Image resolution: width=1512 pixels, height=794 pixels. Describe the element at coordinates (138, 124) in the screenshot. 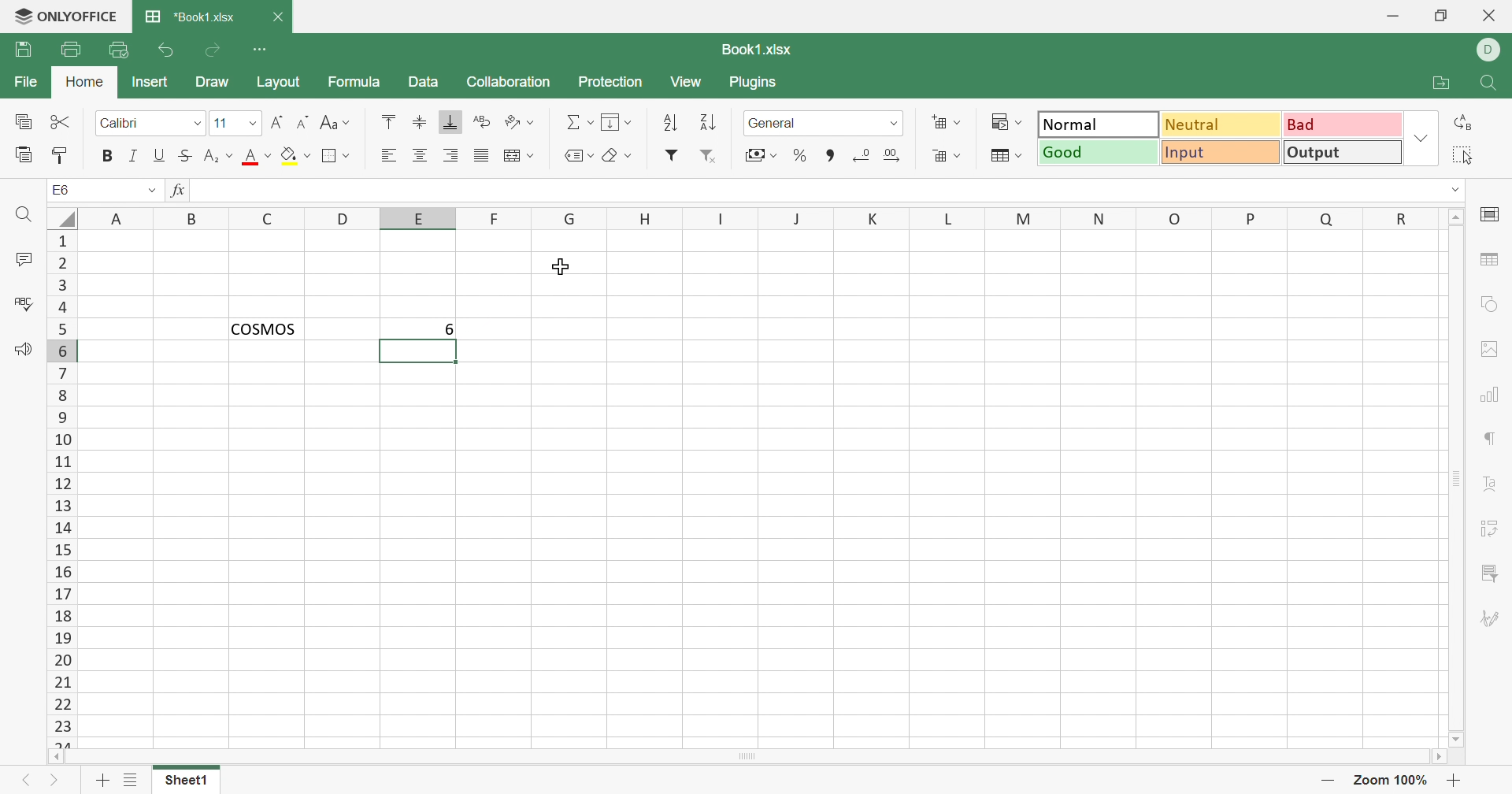

I see `Font` at that location.